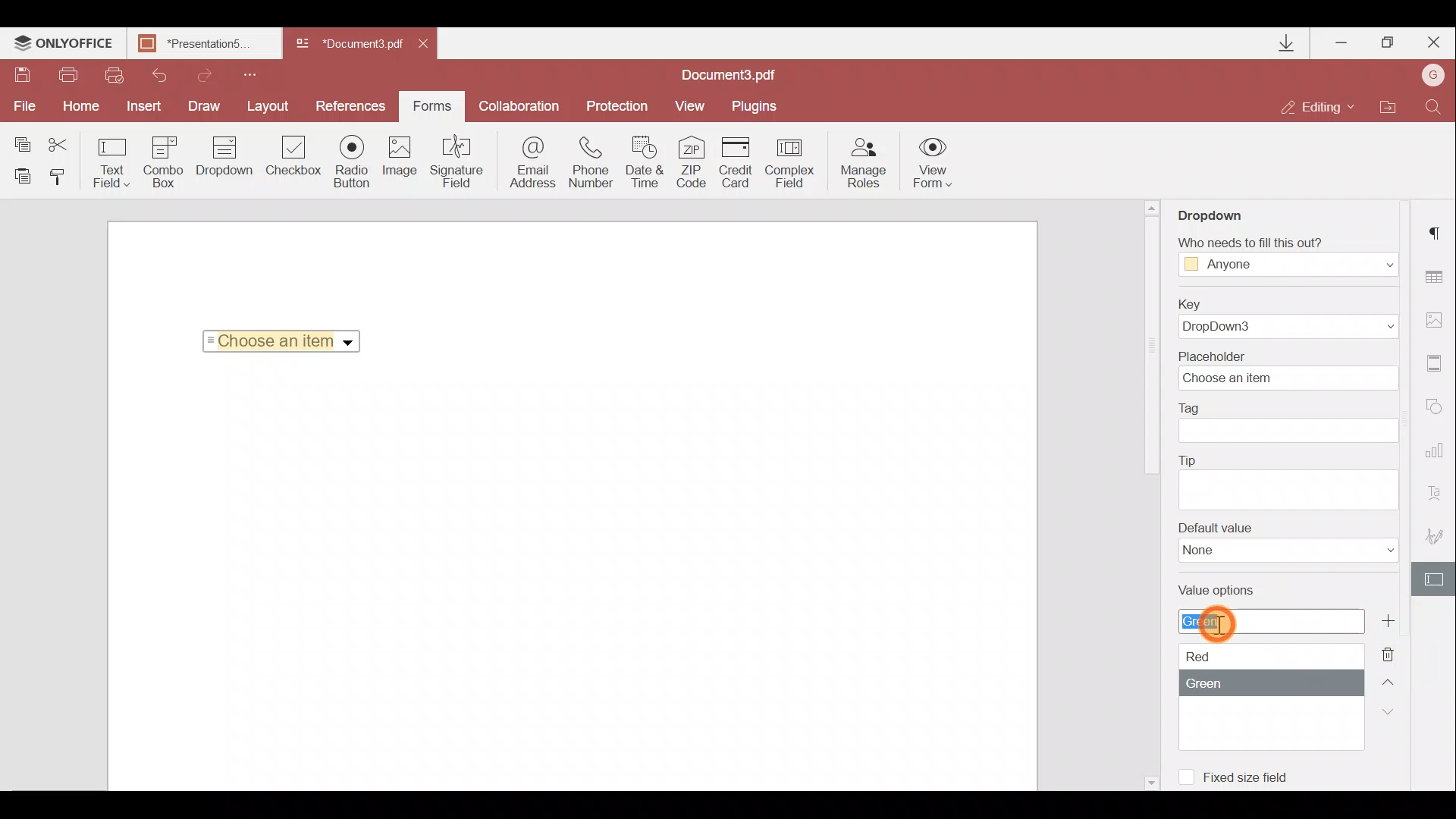 The image size is (1456, 819). I want to click on Redo, so click(206, 74).